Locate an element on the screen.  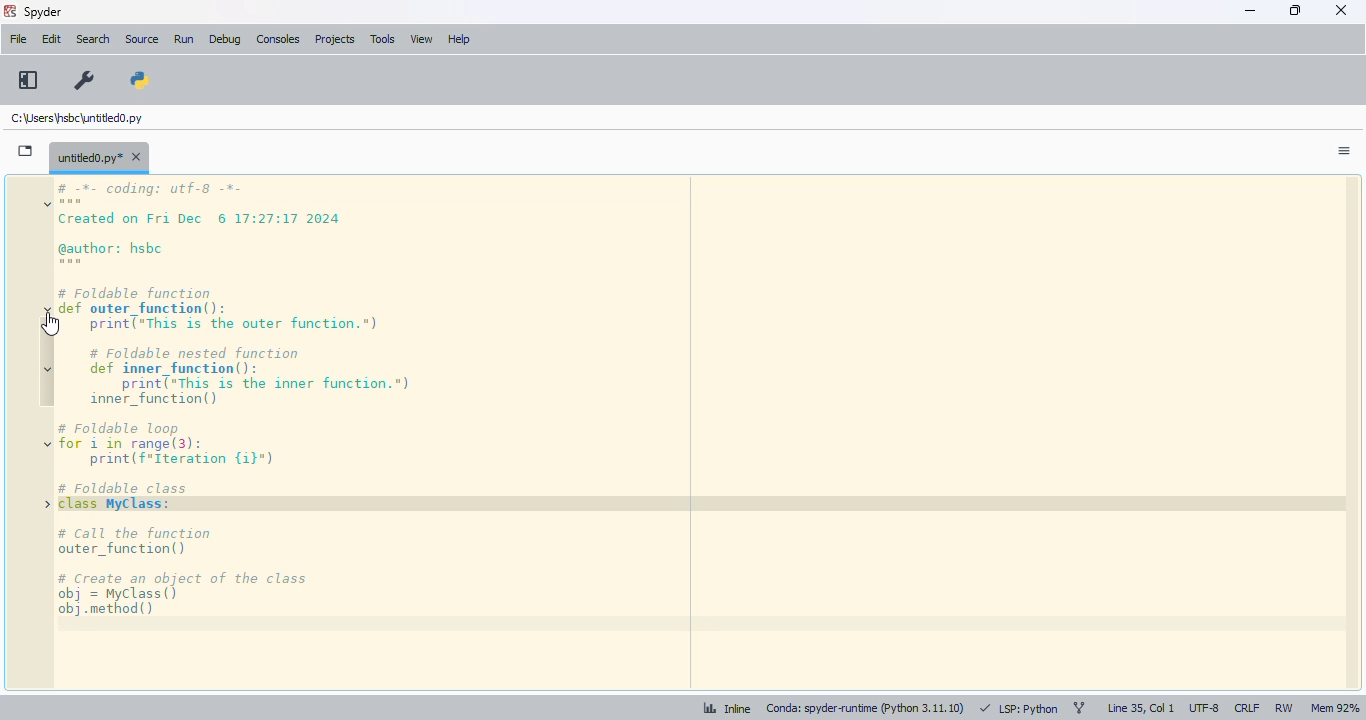
maximize is located at coordinates (1295, 10).